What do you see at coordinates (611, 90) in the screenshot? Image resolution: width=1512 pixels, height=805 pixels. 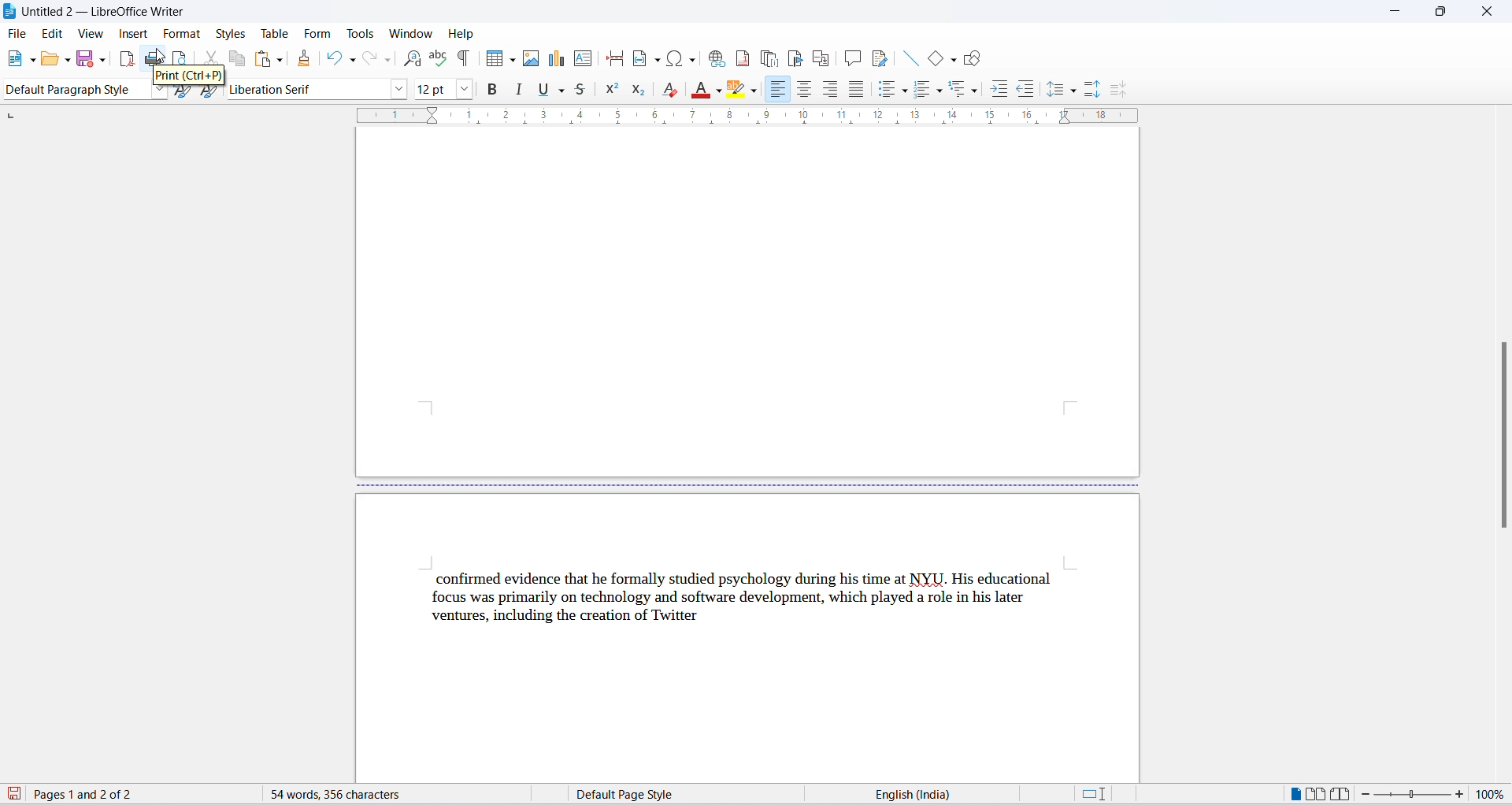 I see `superscript` at bounding box center [611, 90].